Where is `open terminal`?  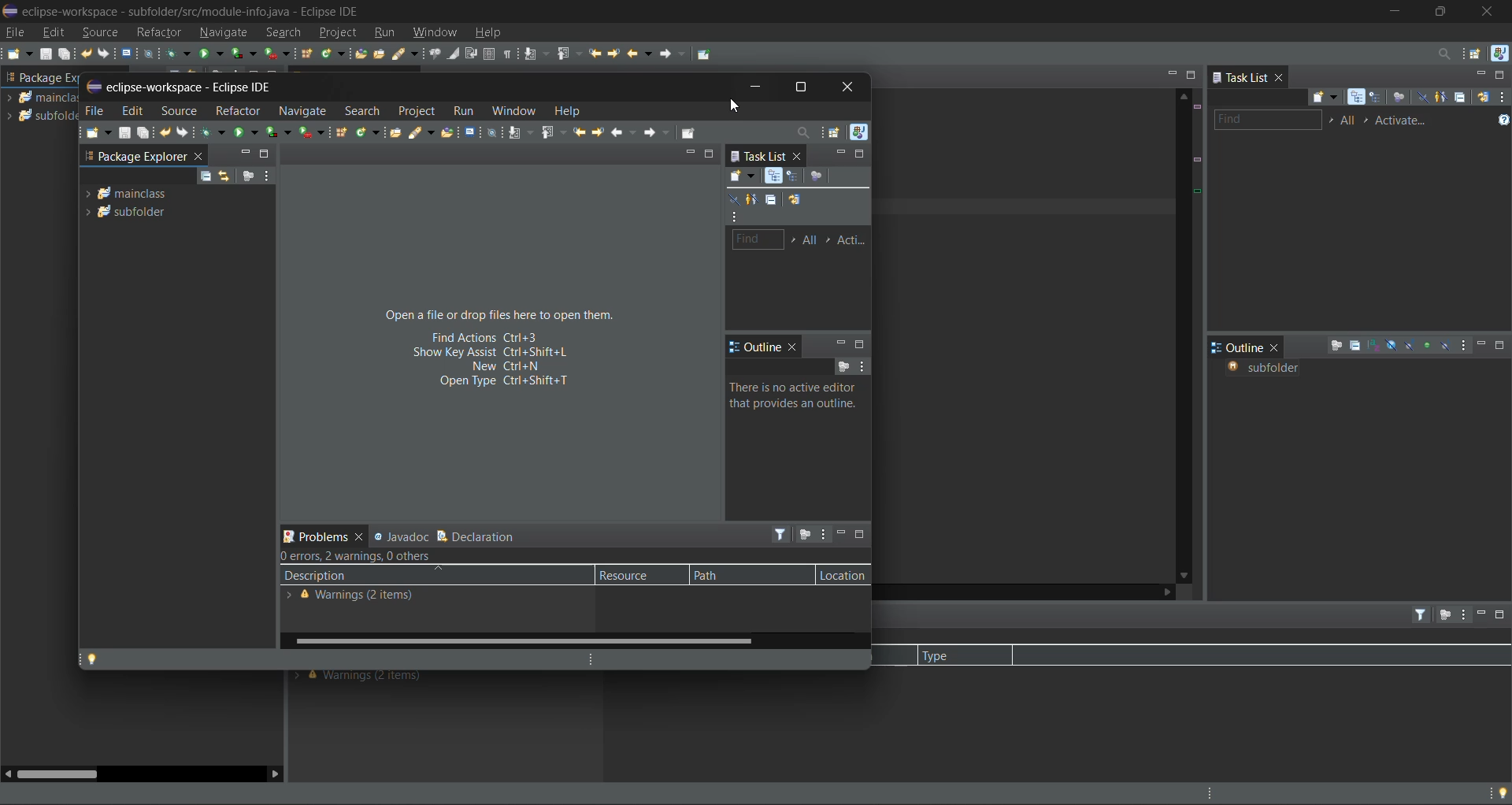
open terminal is located at coordinates (469, 133).